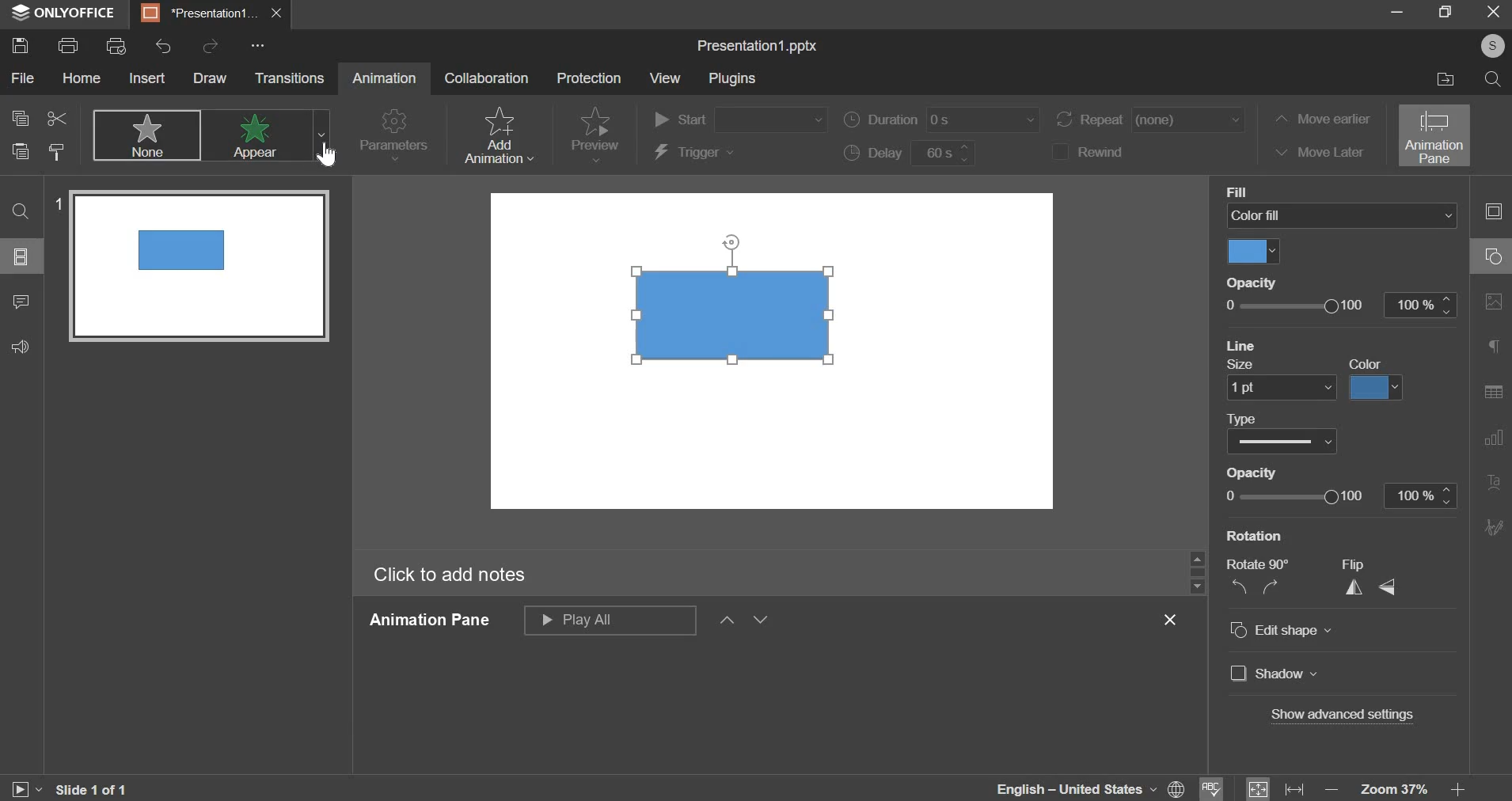 This screenshot has height=801, width=1512. What do you see at coordinates (1489, 211) in the screenshot?
I see `collapse/expand panel` at bounding box center [1489, 211].